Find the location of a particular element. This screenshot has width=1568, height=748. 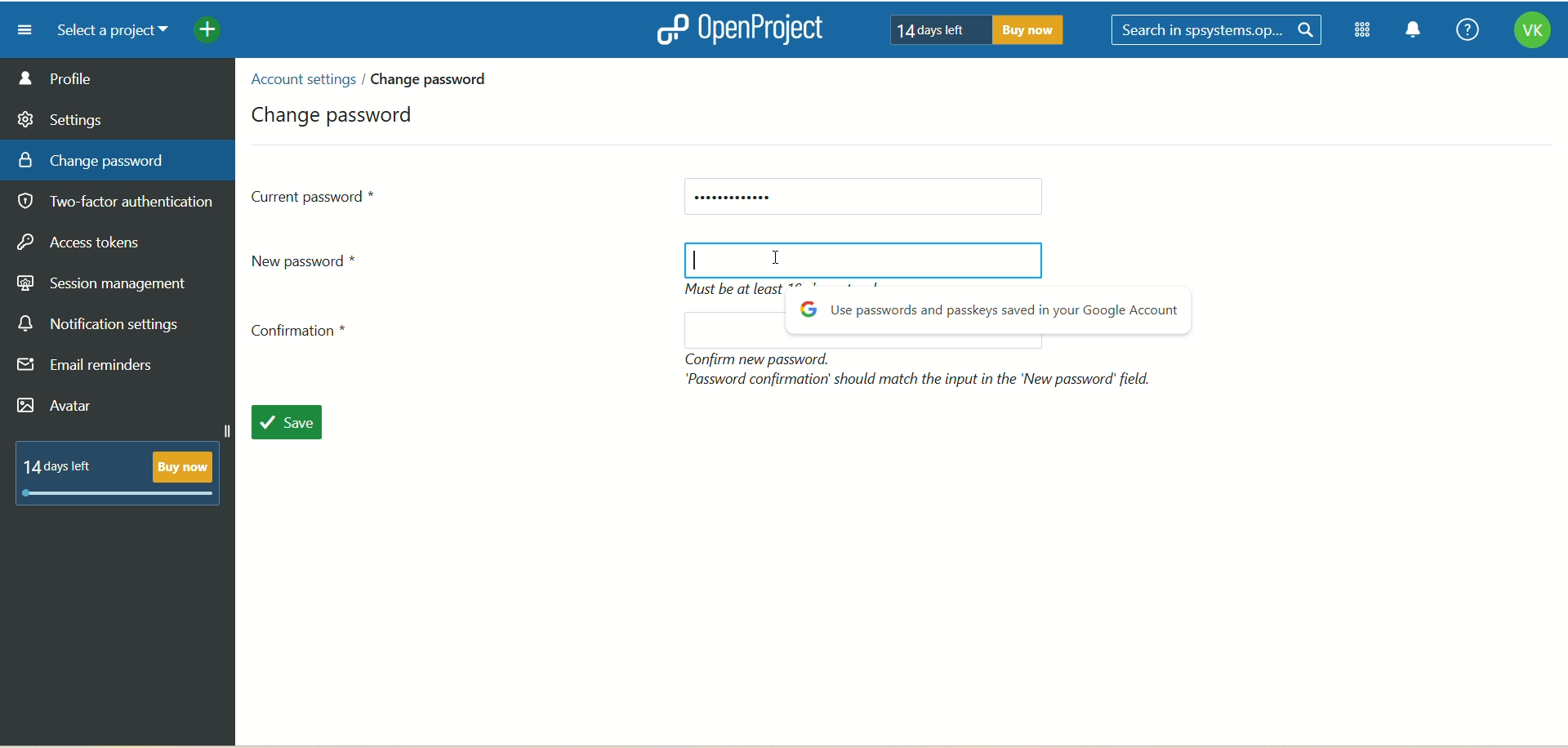

change password is located at coordinates (91, 159).